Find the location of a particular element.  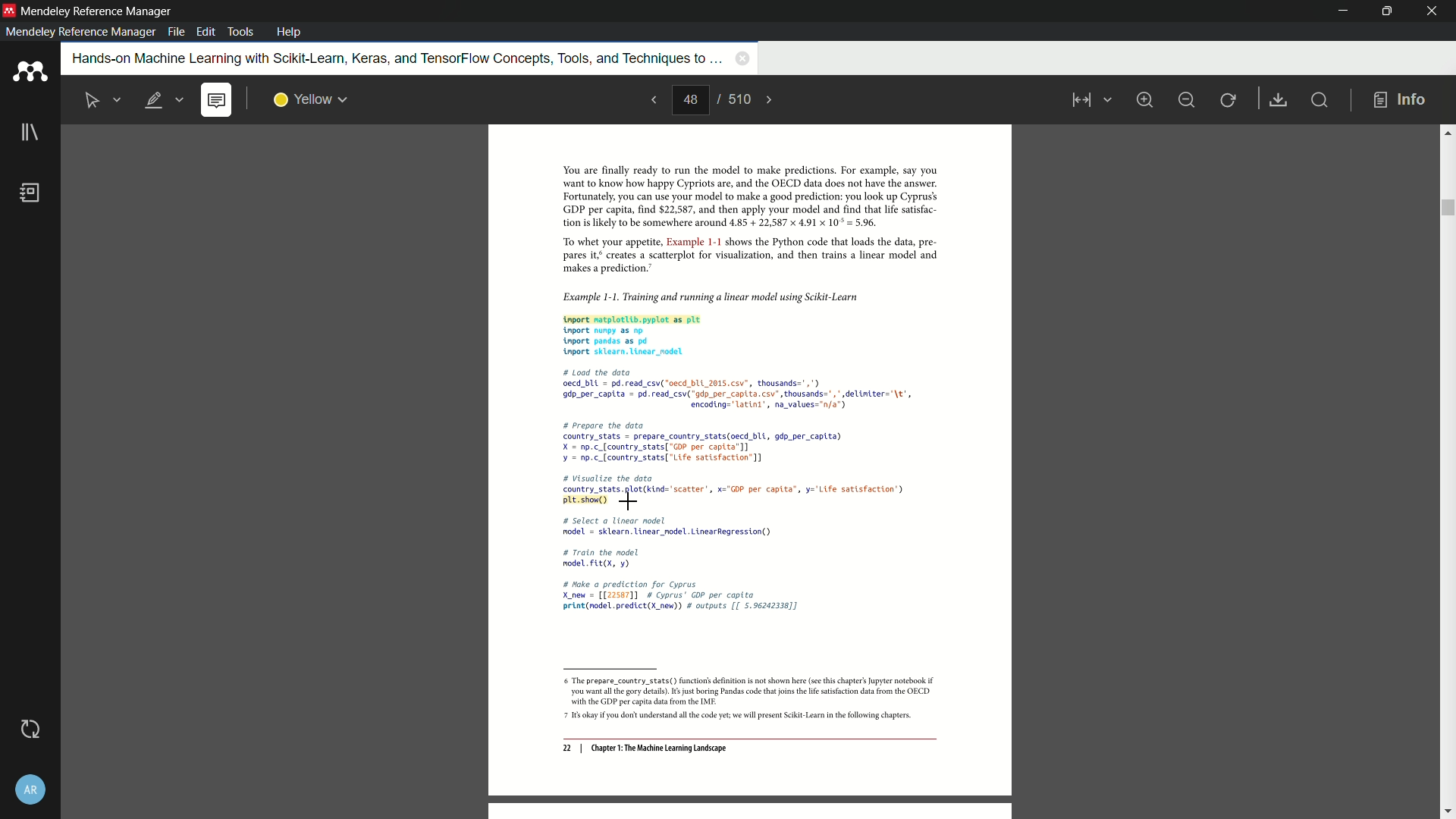

minimize is located at coordinates (1345, 11).